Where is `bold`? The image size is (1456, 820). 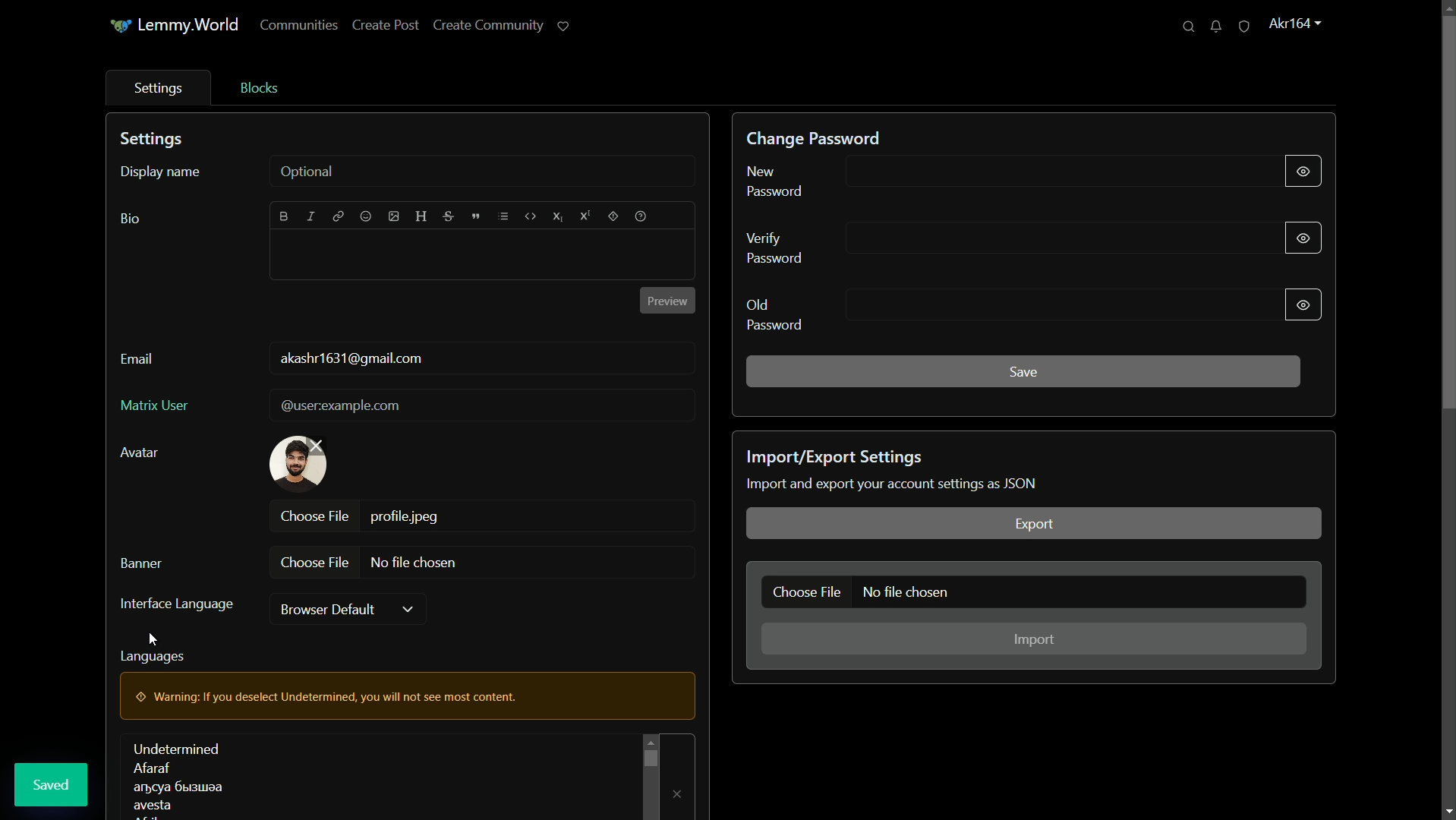
bold is located at coordinates (285, 216).